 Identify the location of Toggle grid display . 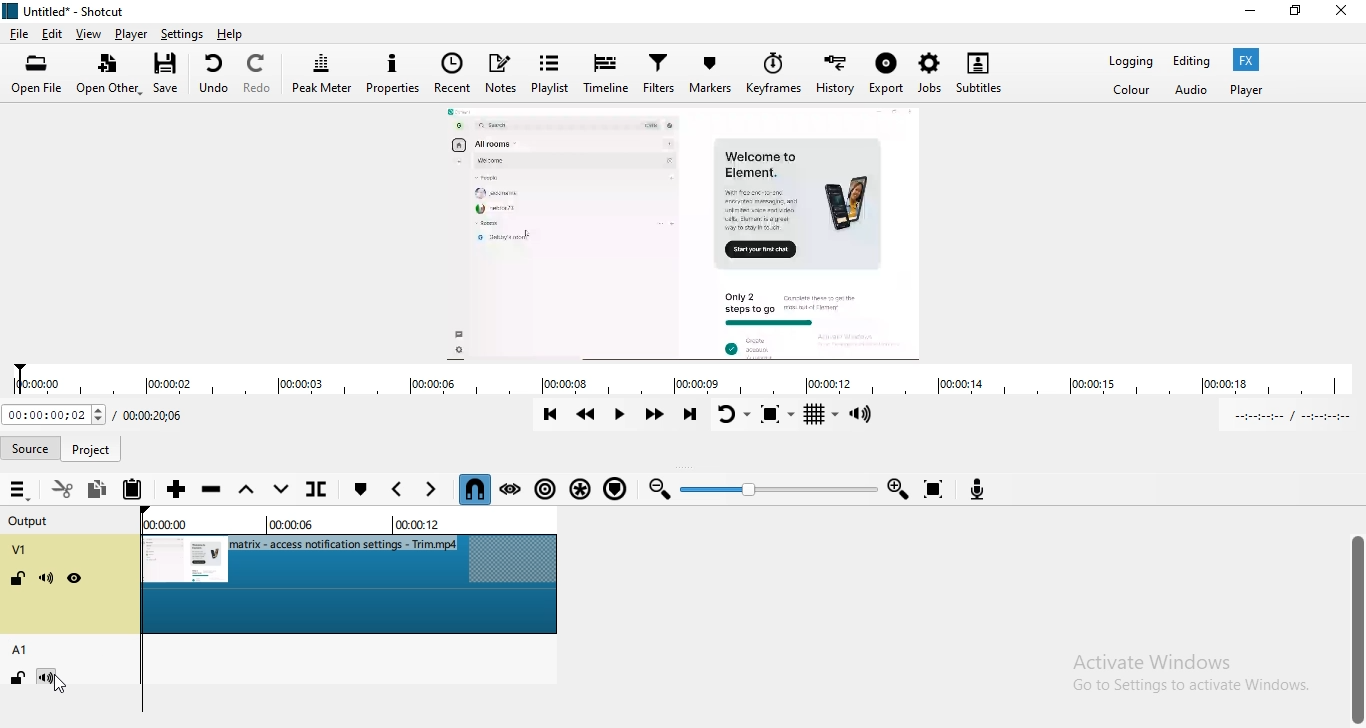
(822, 415).